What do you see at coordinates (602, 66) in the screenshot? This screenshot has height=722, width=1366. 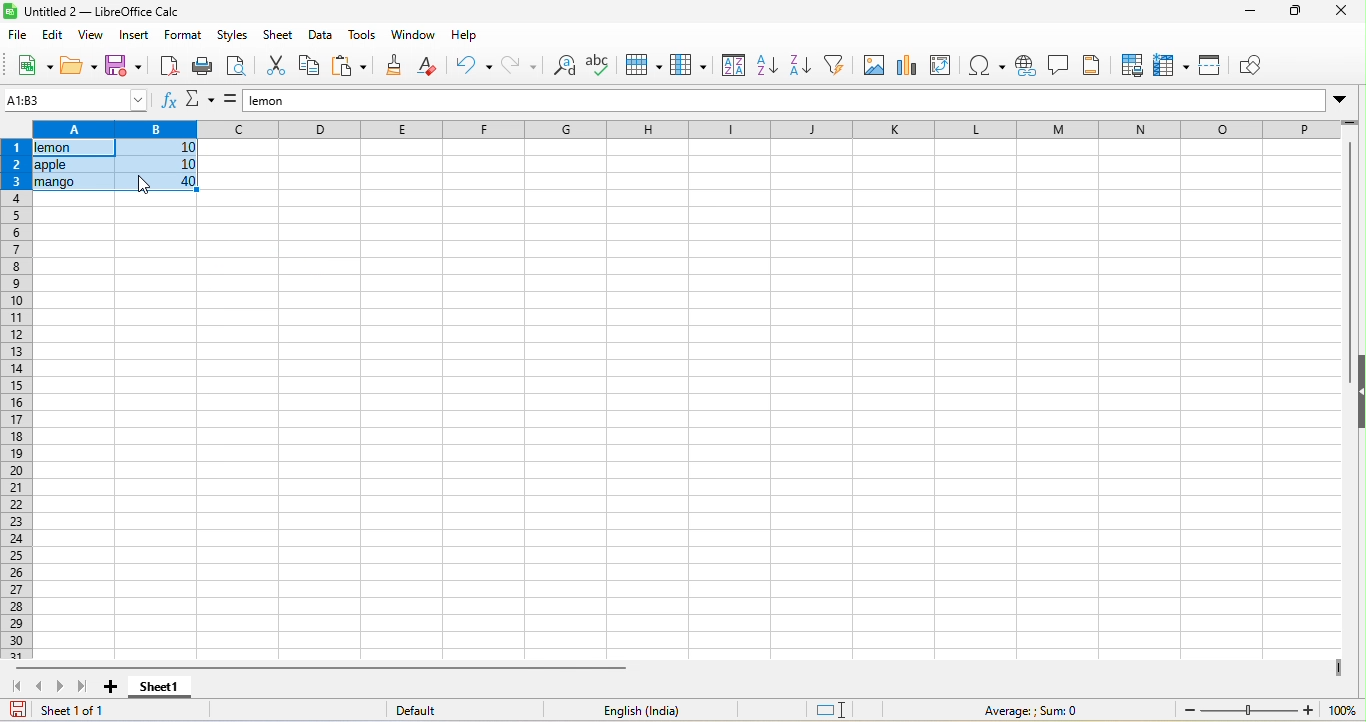 I see `spelling` at bounding box center [602, 66].